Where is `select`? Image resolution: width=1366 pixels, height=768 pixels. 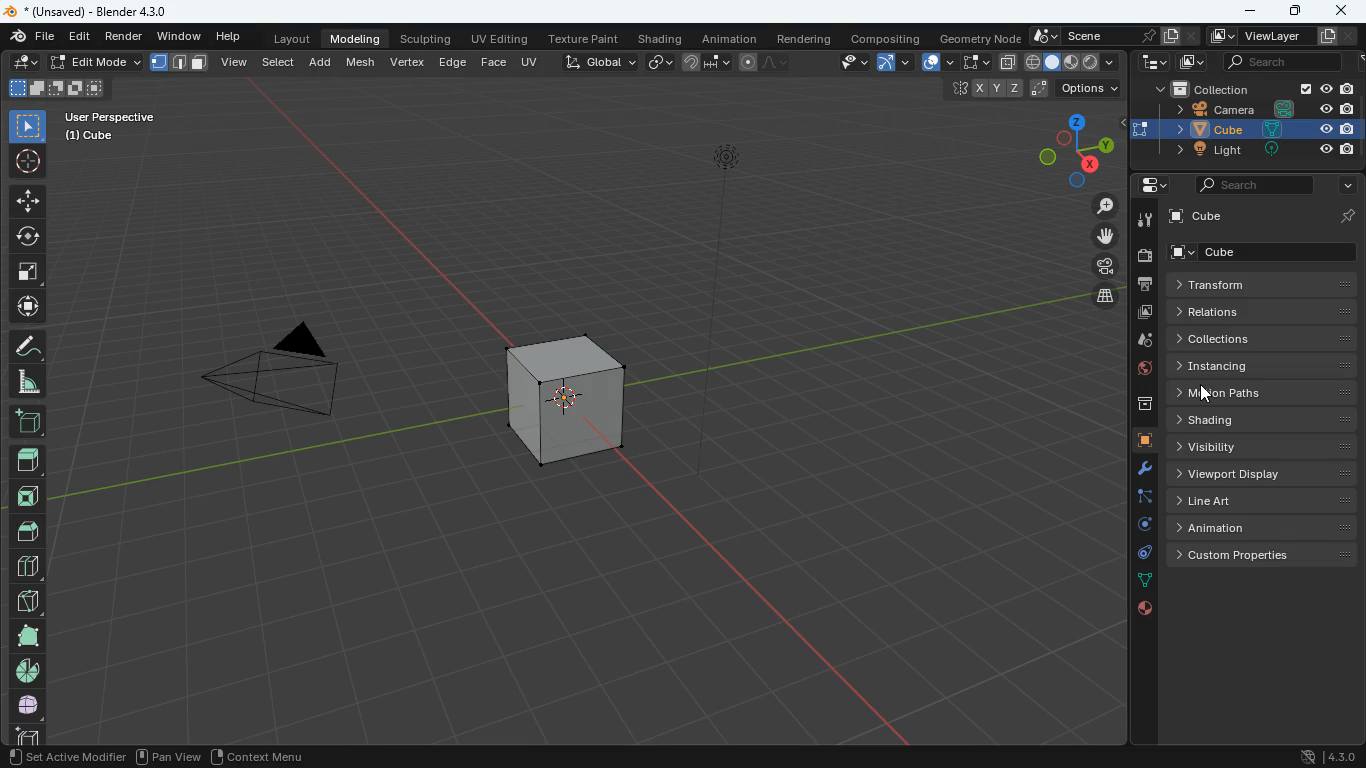 select is located at coordinates (28, 125).